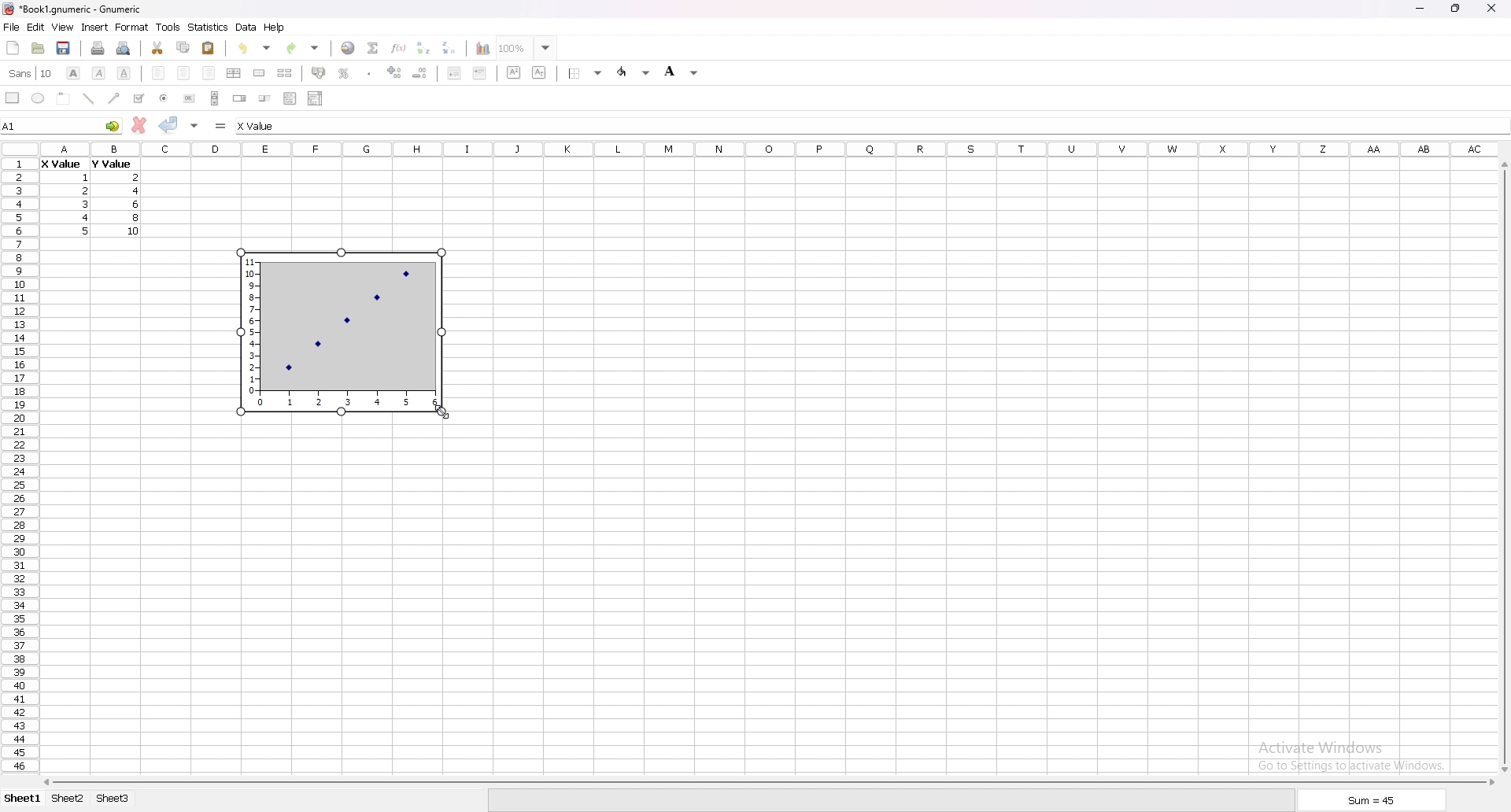 The height and width of the screenshot is (812, 1511). I want to click on sheet 2, so click(68, 799).